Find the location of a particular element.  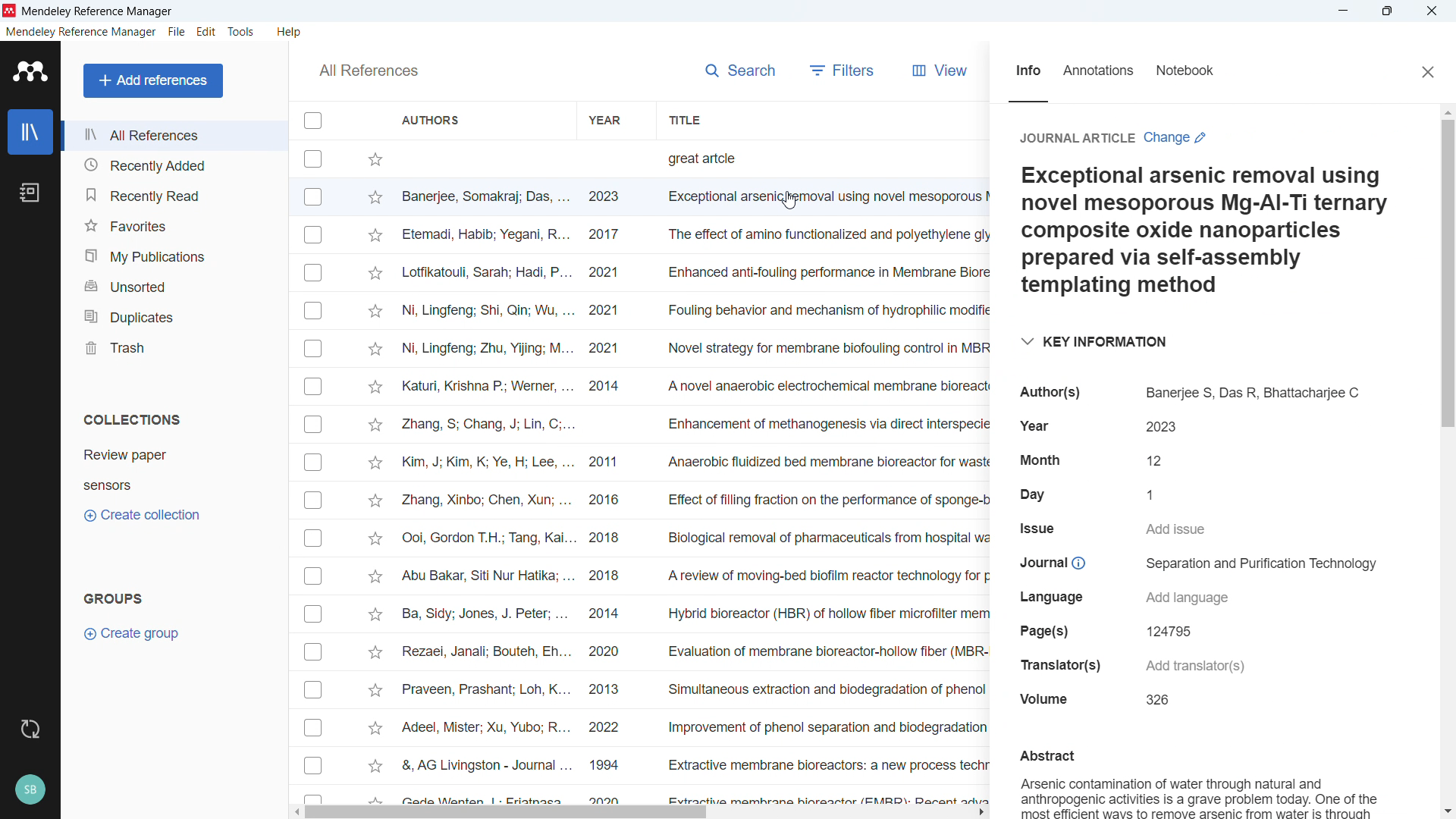

Vertical scroll bar  is located at coordinates (1448, 273).